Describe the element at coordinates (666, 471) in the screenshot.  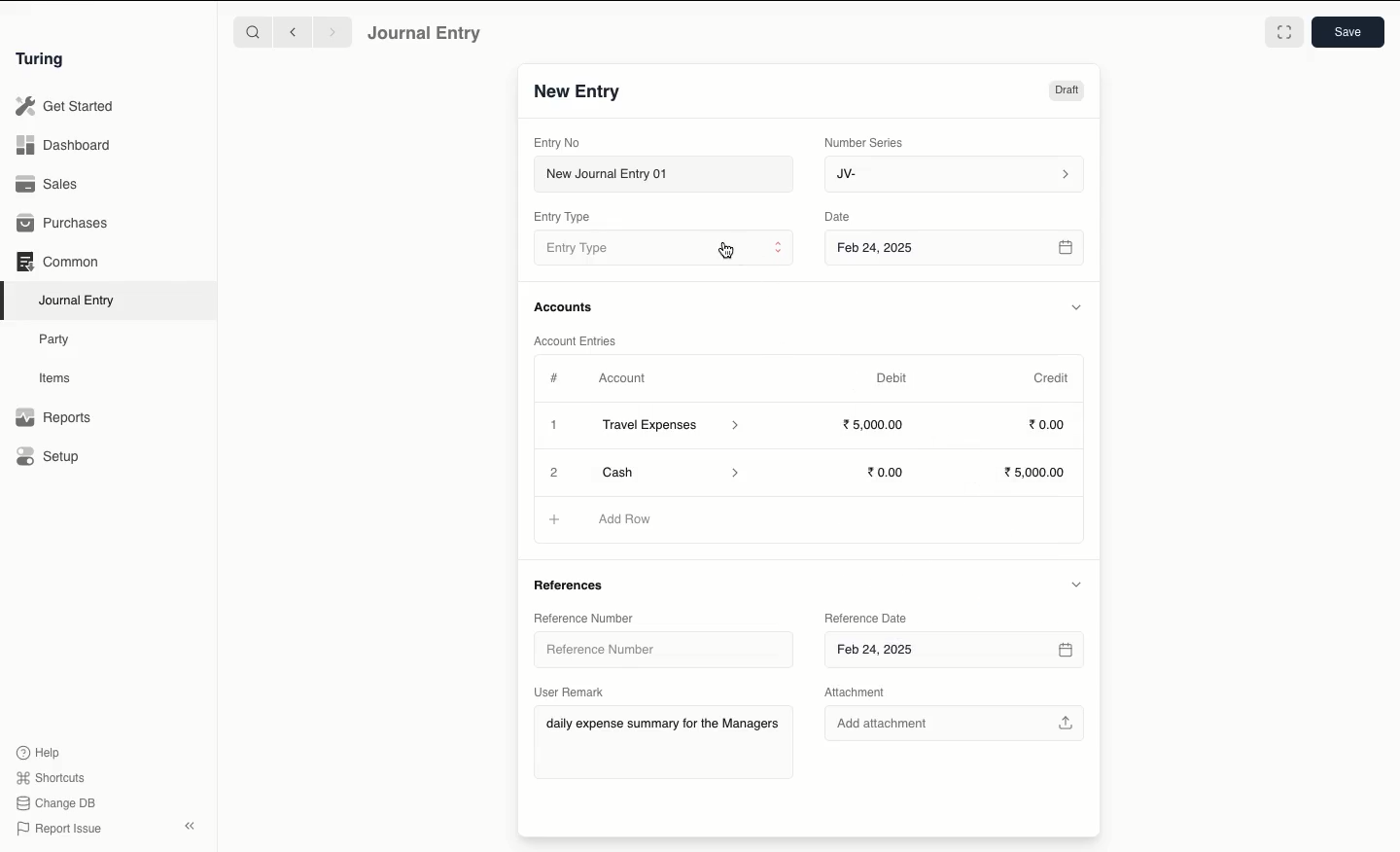
I see `Cash` at that location.